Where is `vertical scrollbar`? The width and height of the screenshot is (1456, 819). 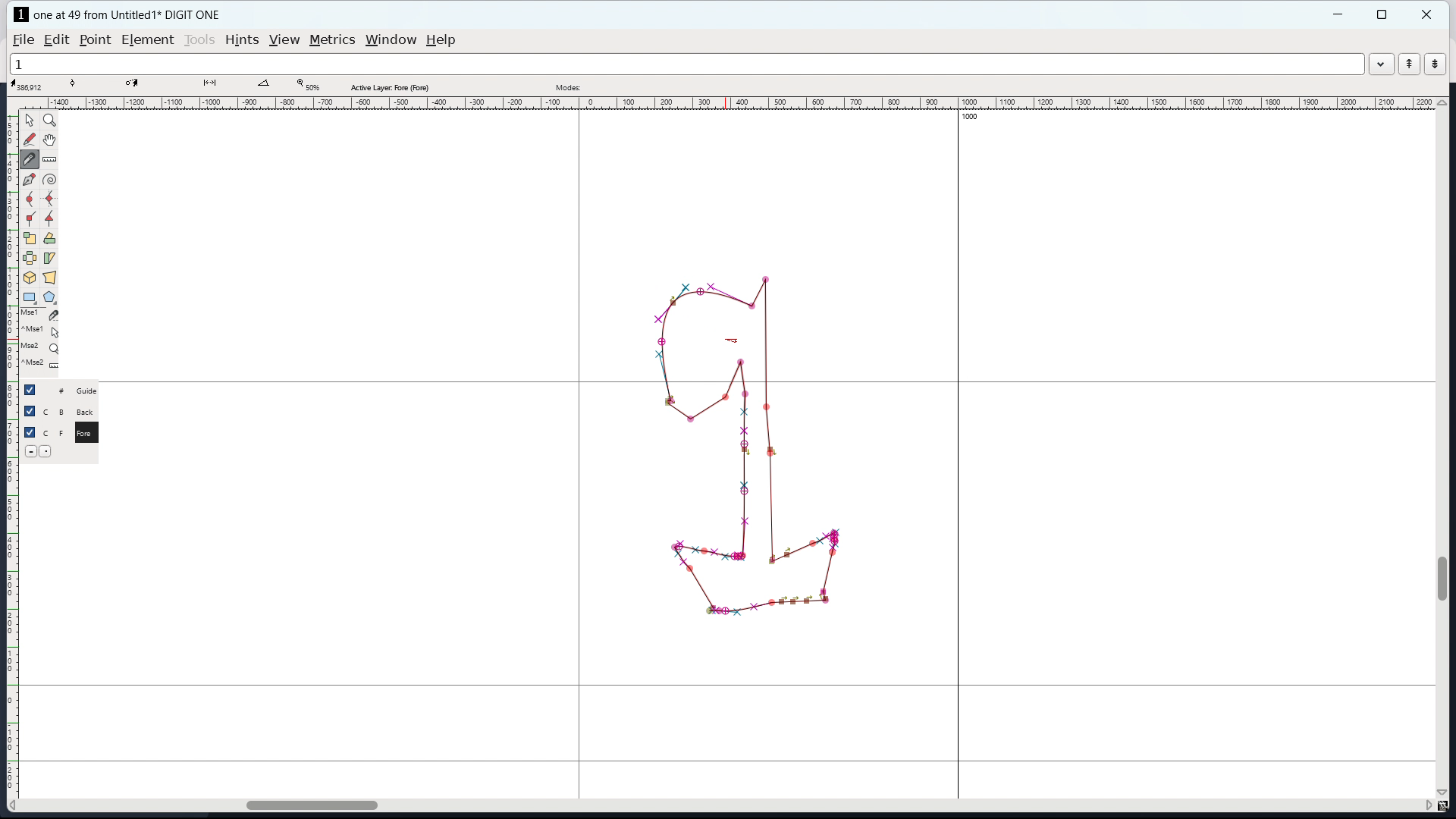 vertical scrollbar is located at coordinates (1445, 578).